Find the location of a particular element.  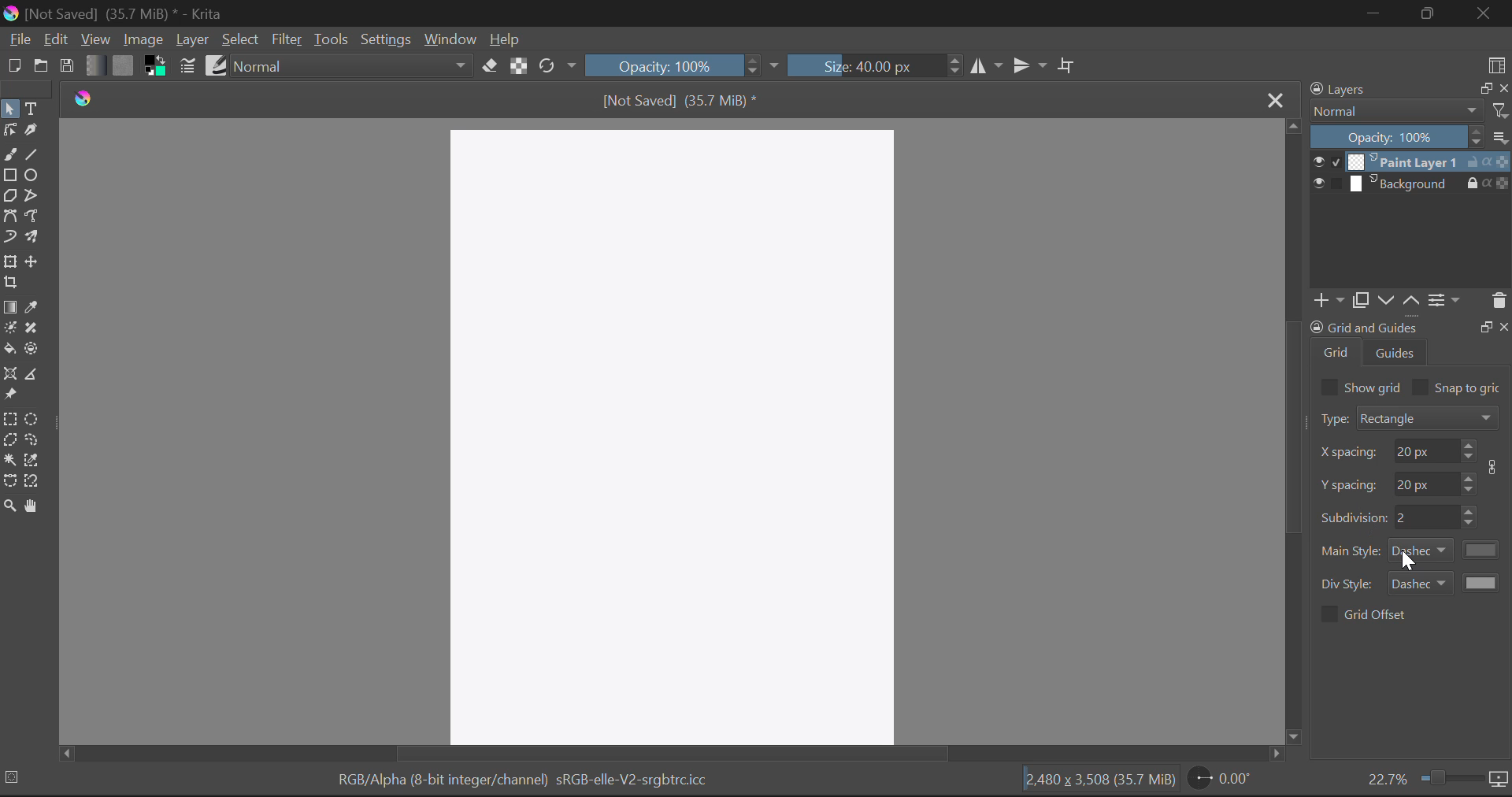

icon is located at coordinates (1496, 467).